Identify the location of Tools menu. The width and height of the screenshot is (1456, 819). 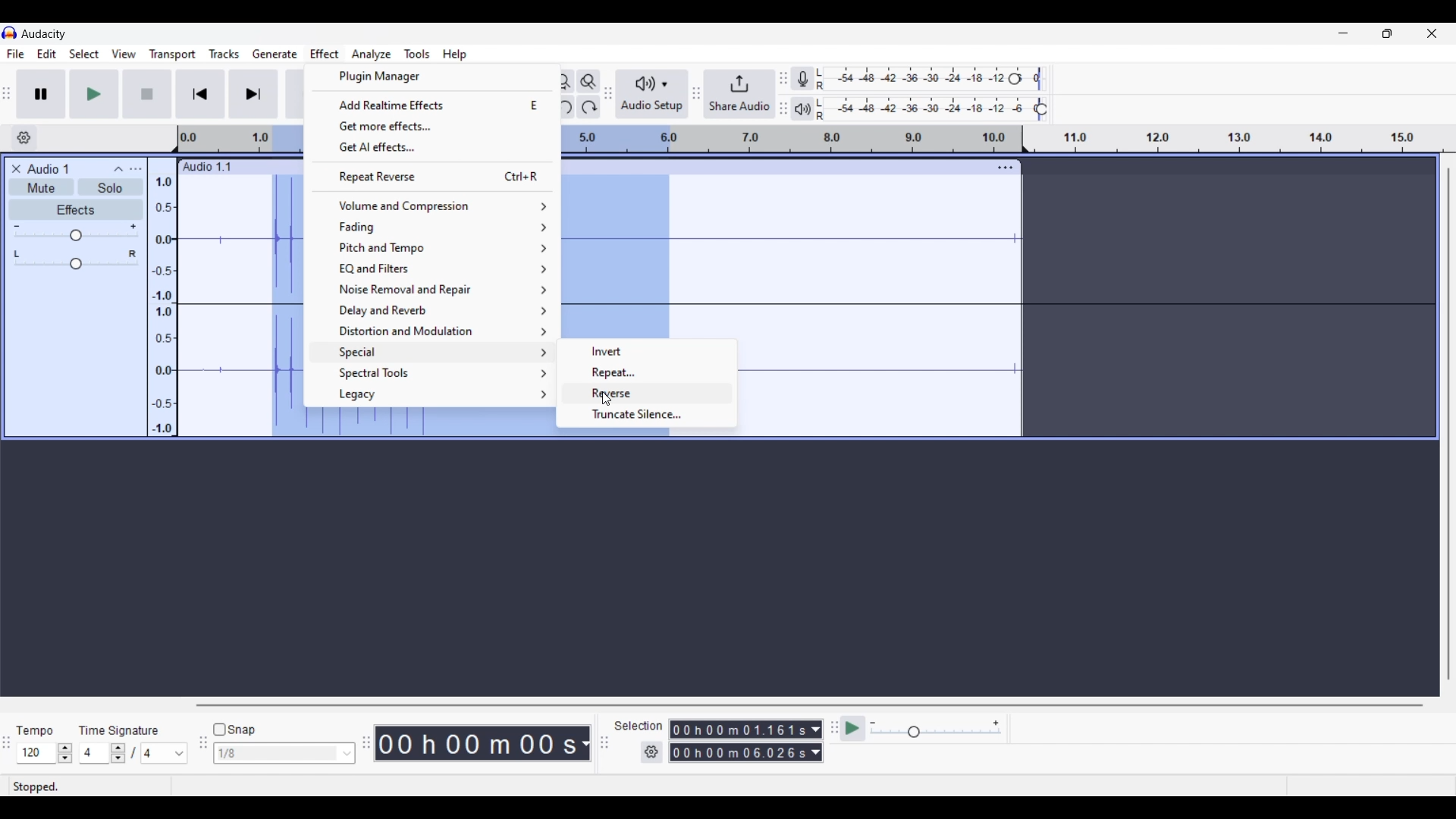
(417, 54).